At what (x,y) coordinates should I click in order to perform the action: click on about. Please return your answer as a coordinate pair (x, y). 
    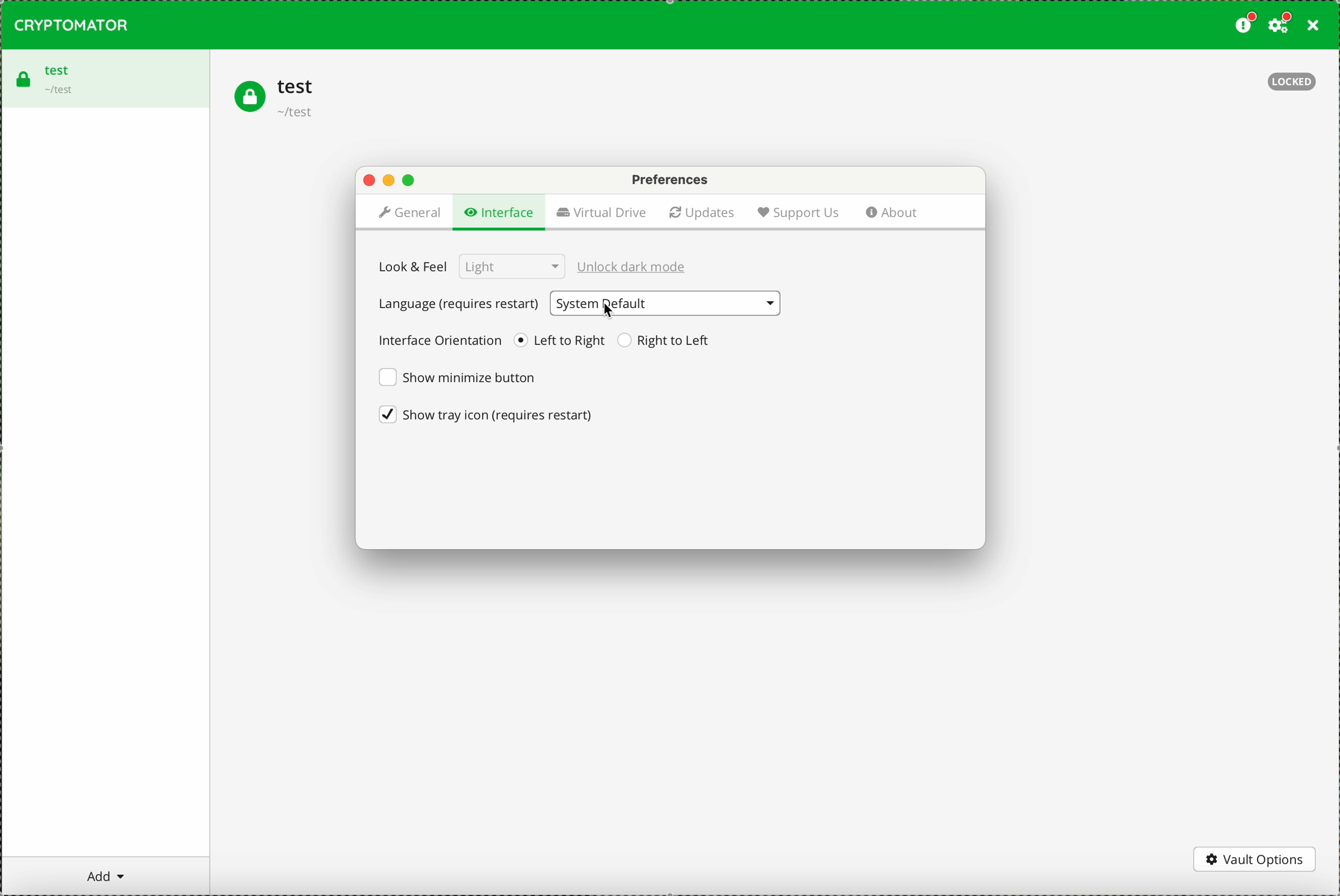
    Looking at the image, I should click on (893, 212).